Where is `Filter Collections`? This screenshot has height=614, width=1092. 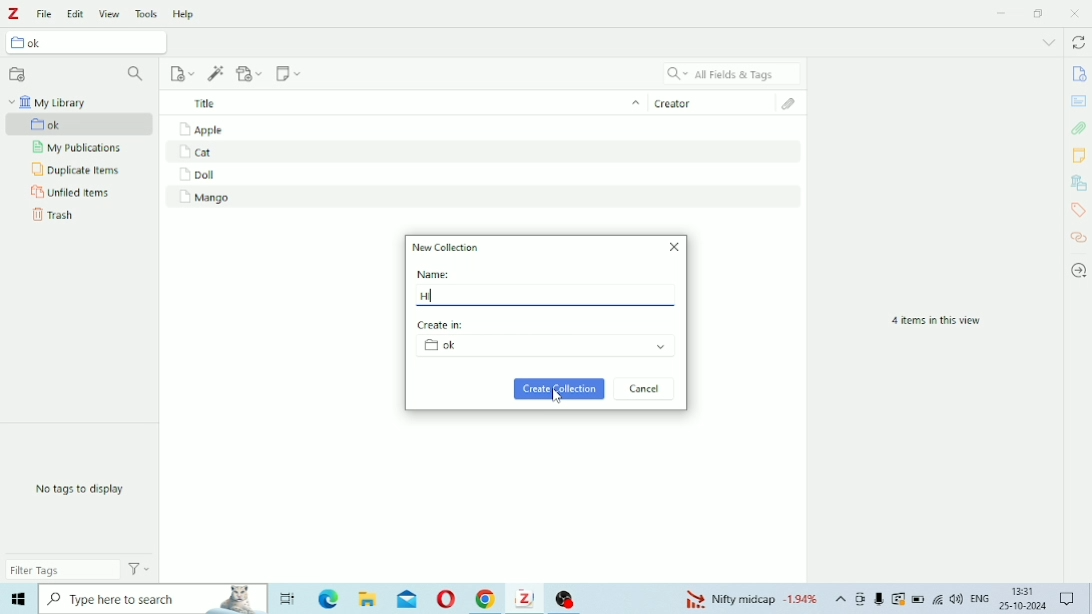
Filter Collections is located at coordinates (138, 75).